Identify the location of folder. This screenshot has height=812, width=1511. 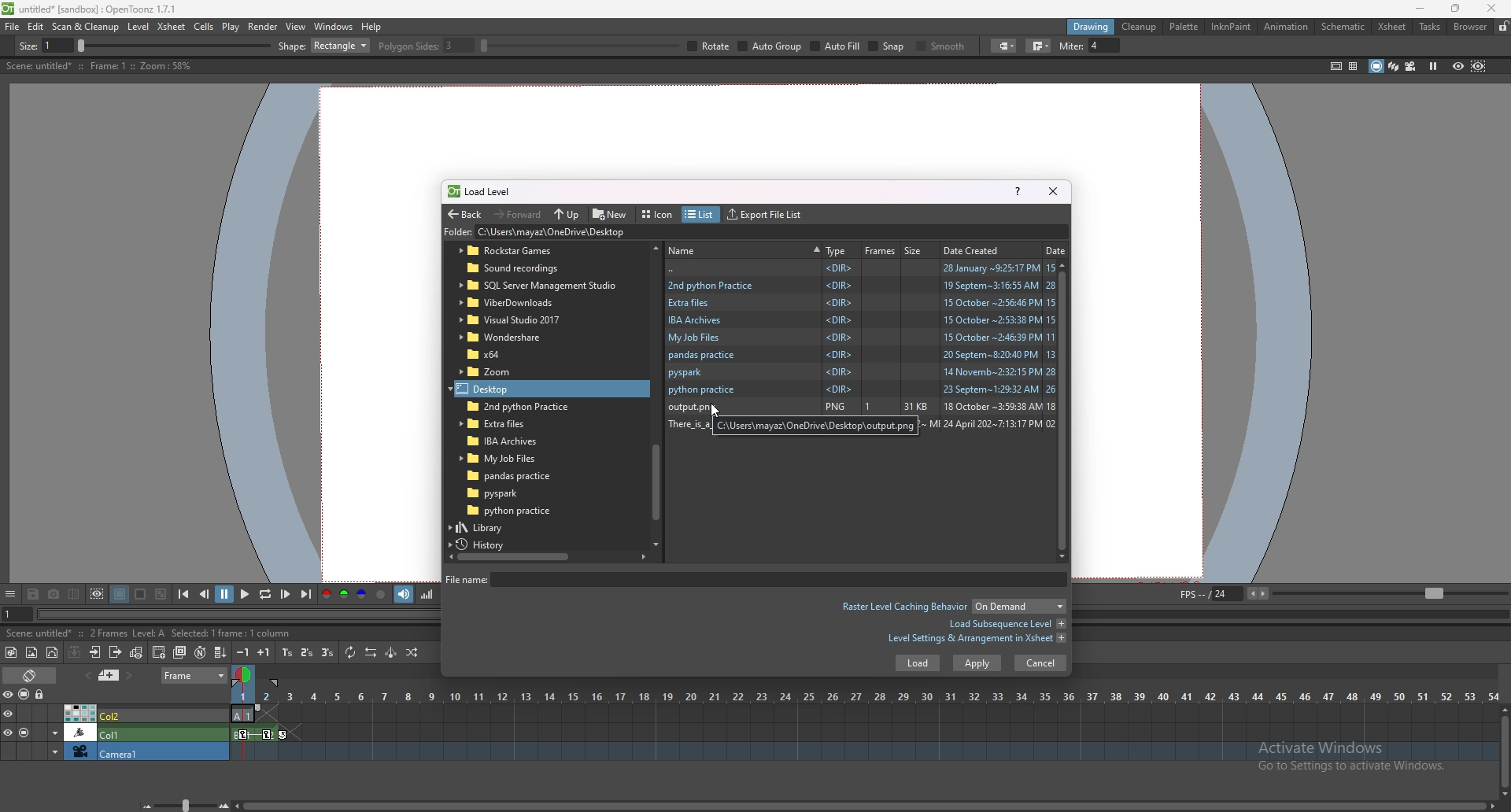
(859, 356).